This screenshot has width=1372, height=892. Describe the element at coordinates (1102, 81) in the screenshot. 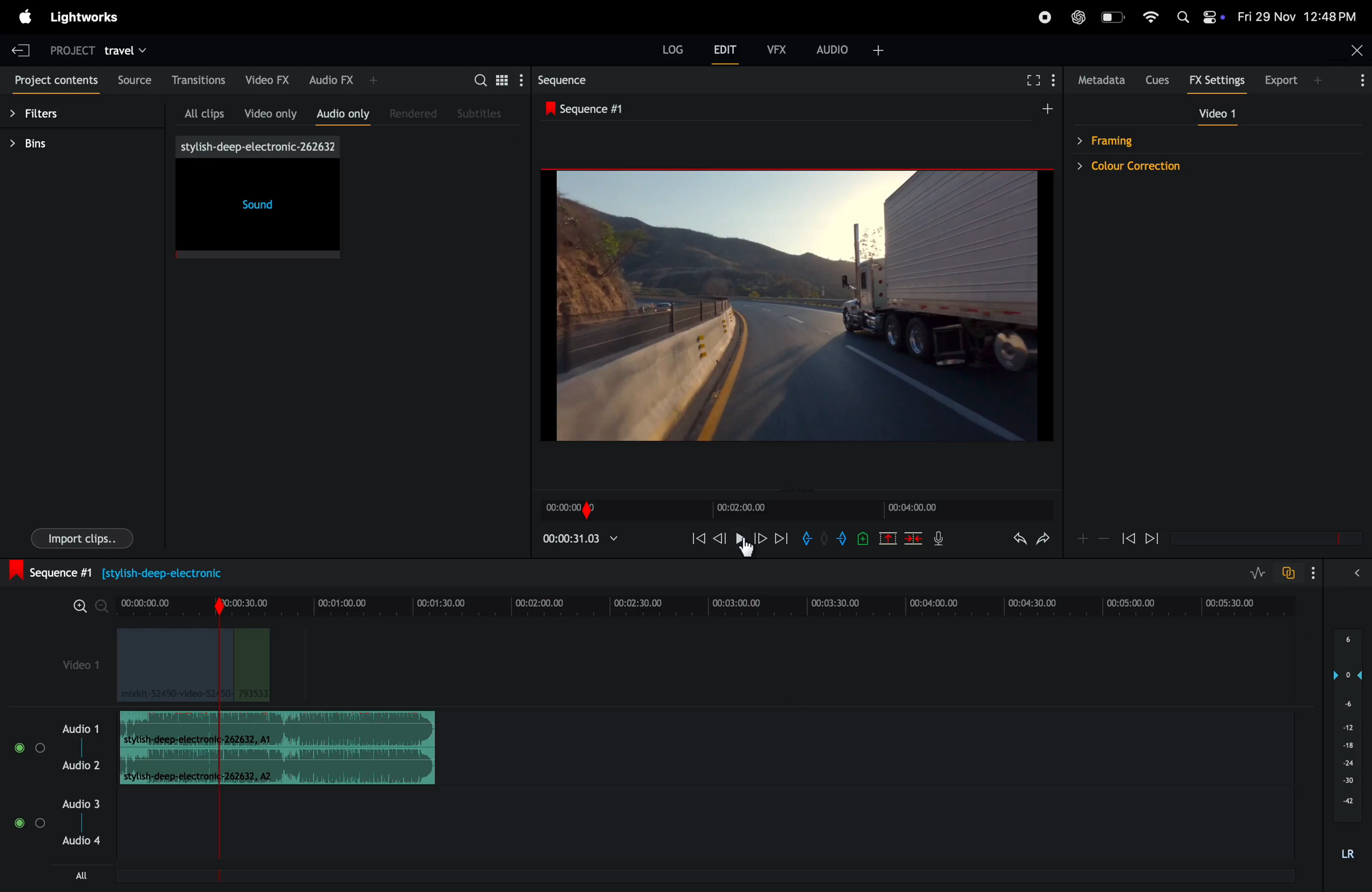

I see `meta data` at that location.